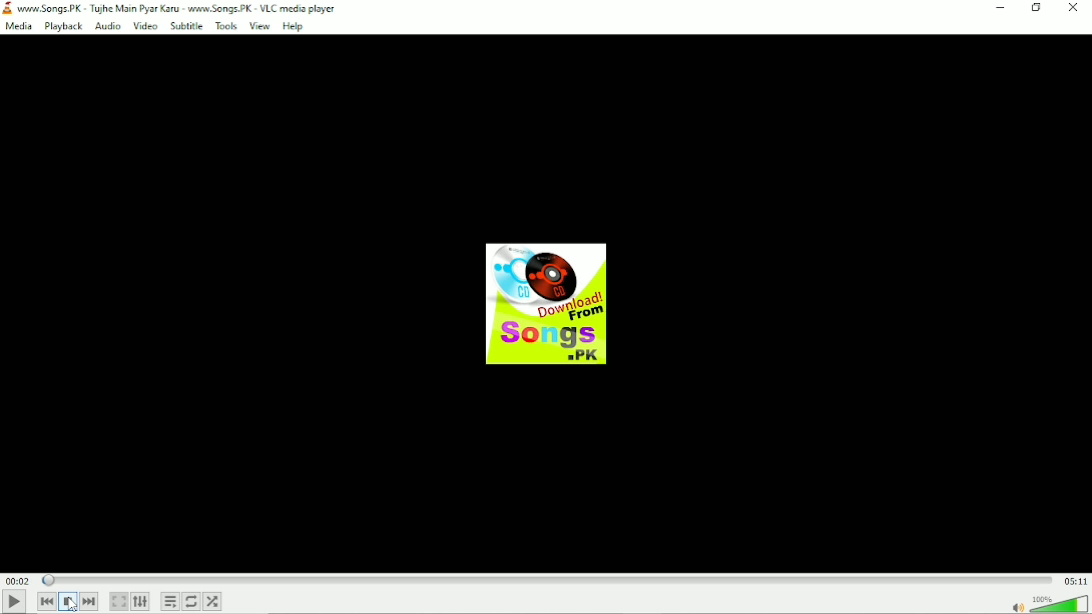 The width and height of the screenshot is (1092, 614). I want to click on Random, so click(213, 601).